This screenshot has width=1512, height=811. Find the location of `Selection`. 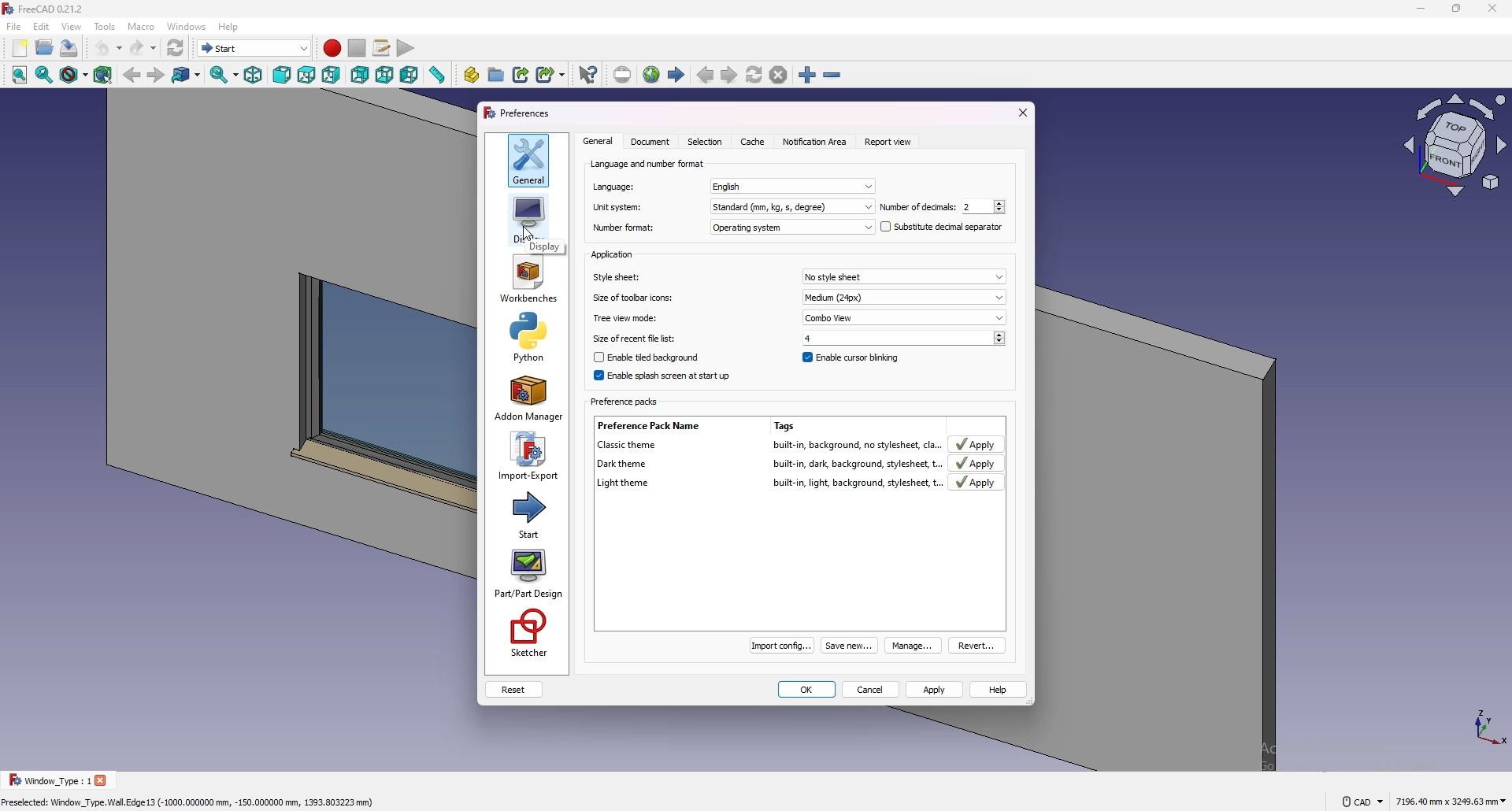

Selection is located at coordinates (705, 142).